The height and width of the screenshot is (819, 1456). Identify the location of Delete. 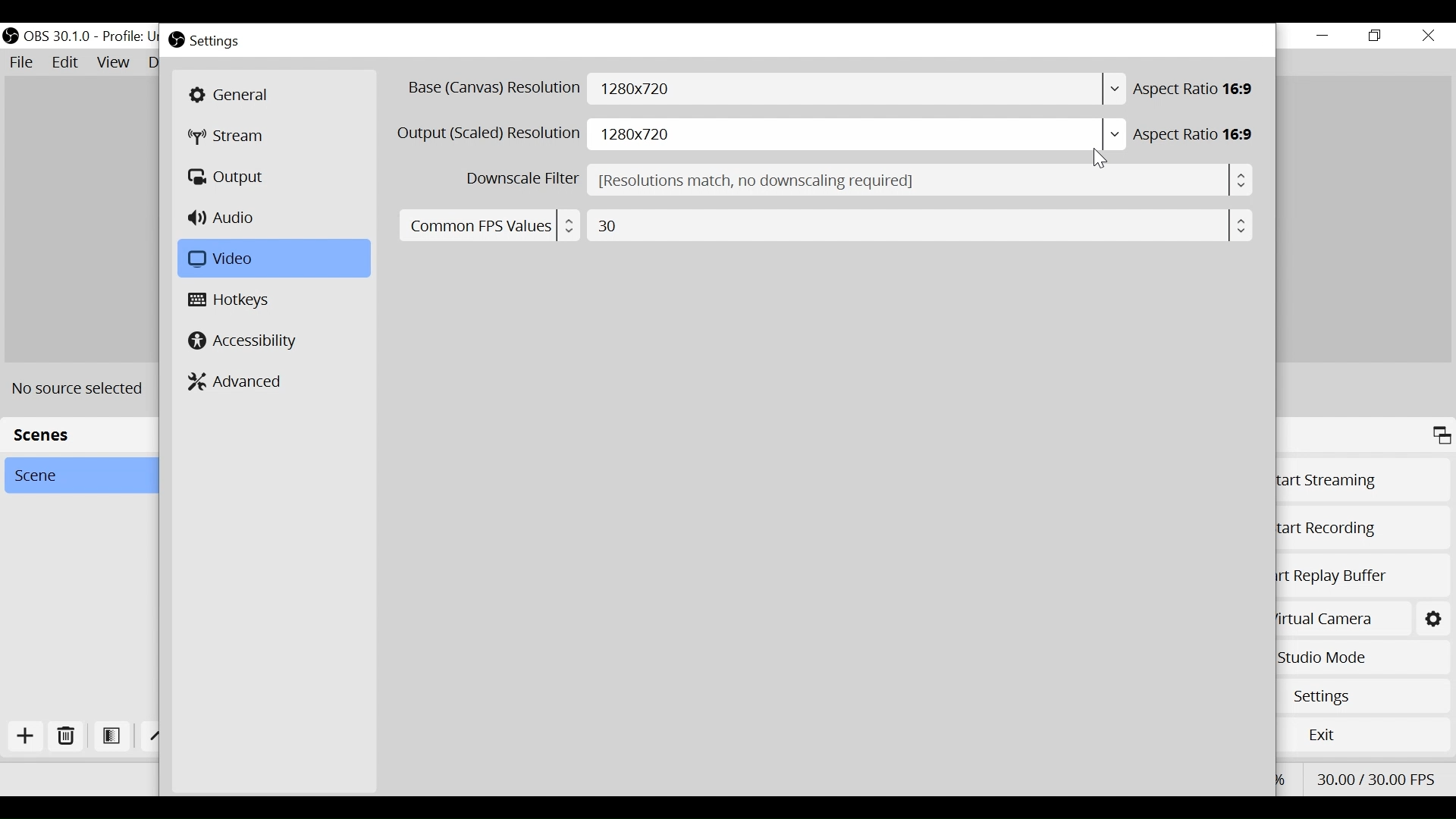
(66, 739).